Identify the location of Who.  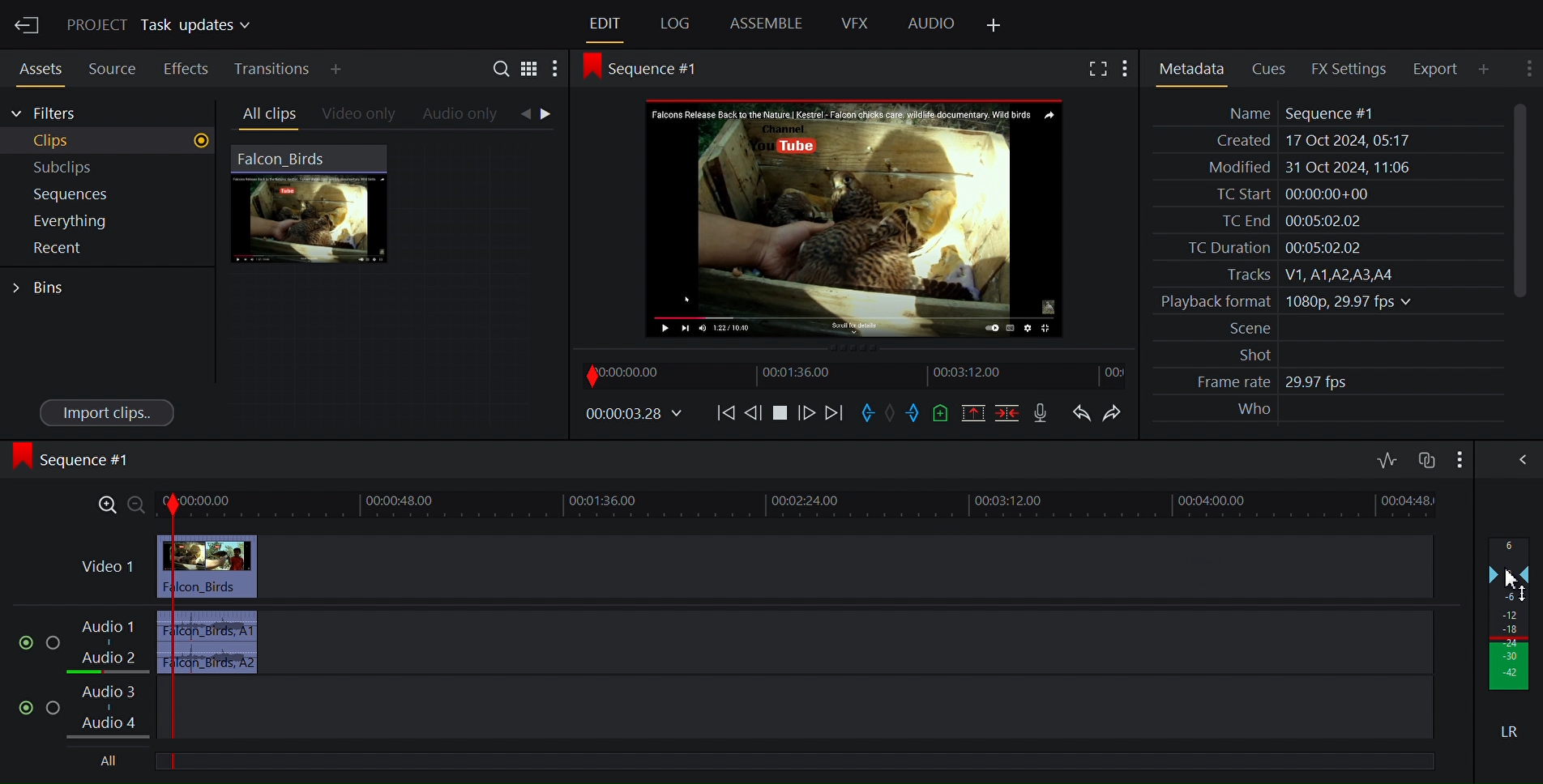
(1251, 410).